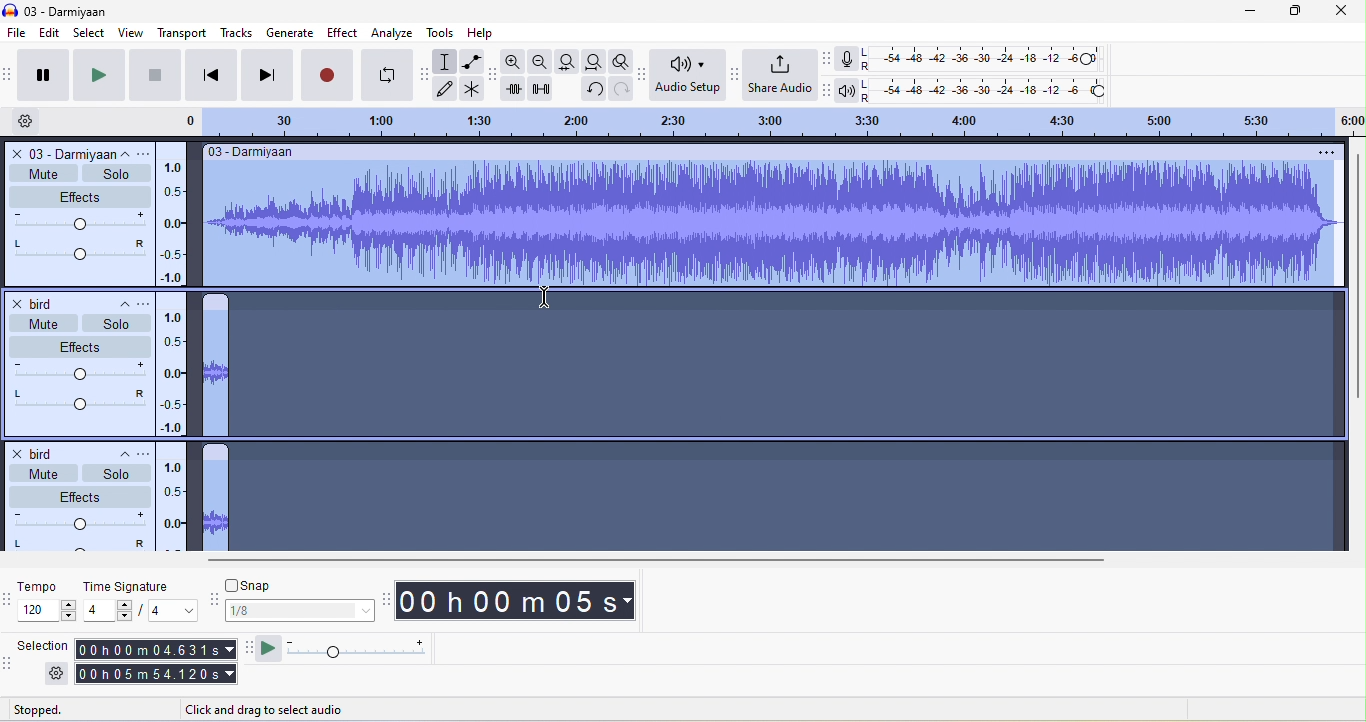  I want to click on mute, so click(39, 472).